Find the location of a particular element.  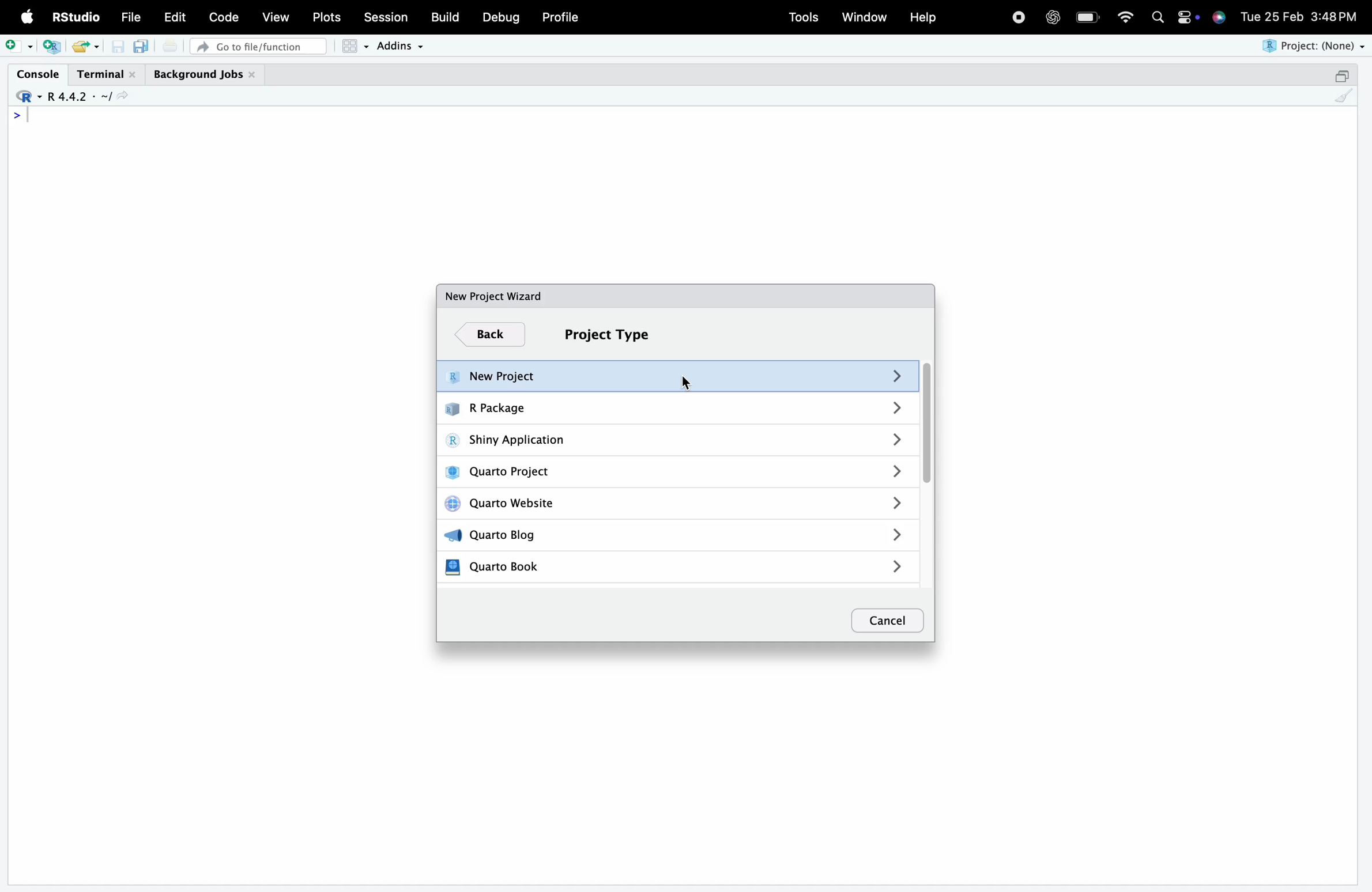

open AI is located at coordinates (1052, 17).